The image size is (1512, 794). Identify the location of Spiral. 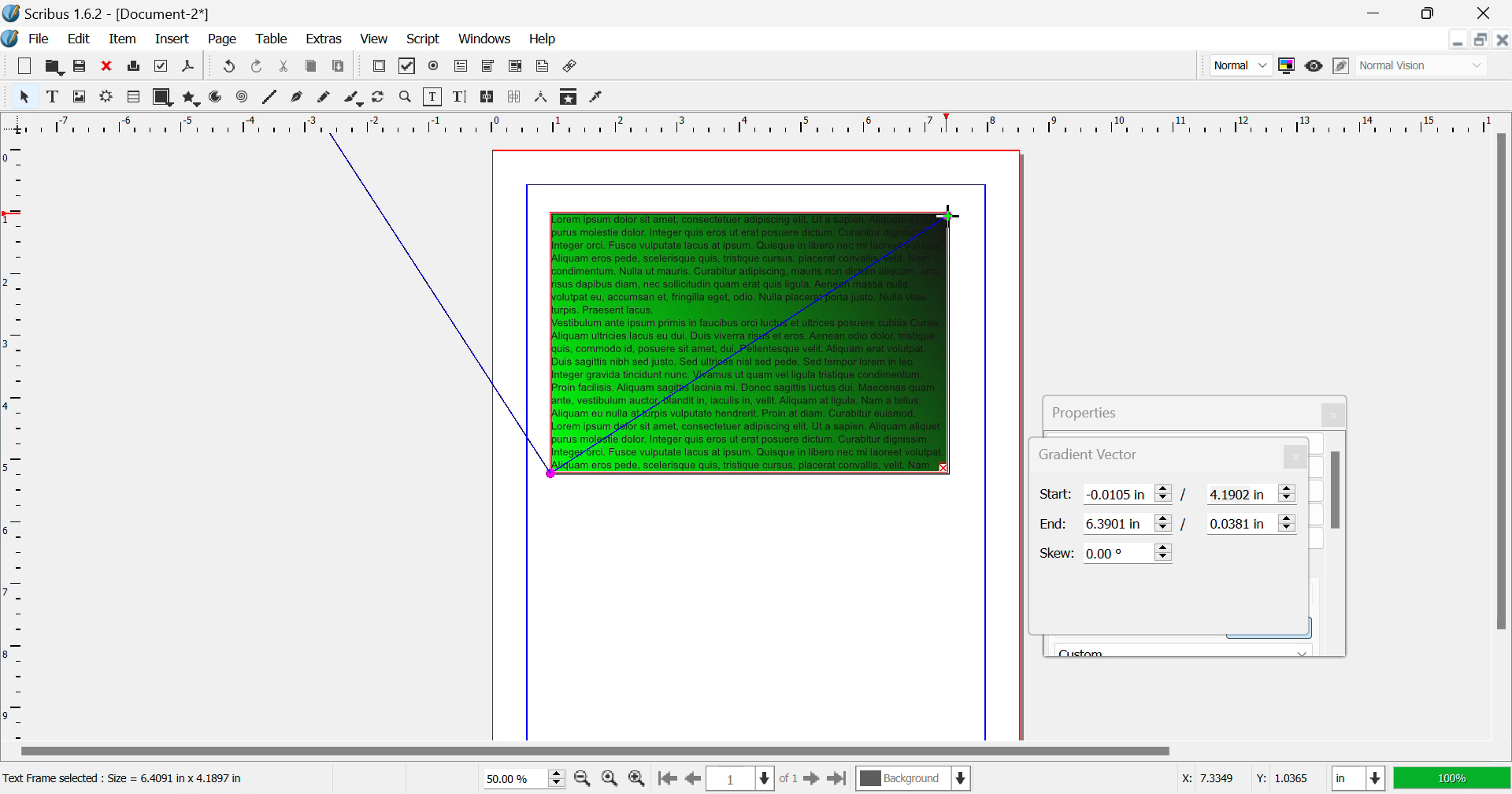
(242, 98).